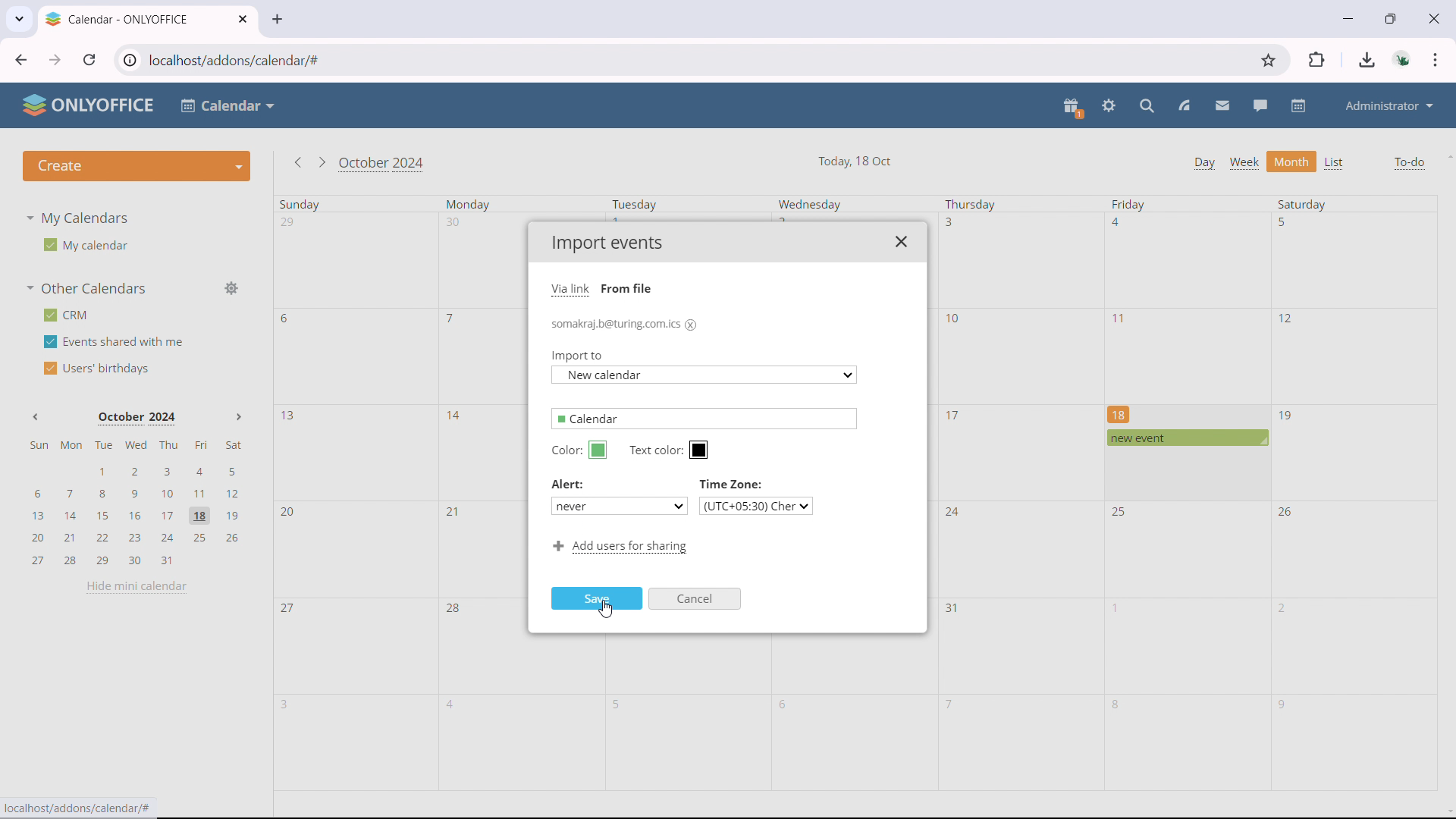 The image size is (1456, 819). What do you see at coordinates (384, 165) in the screenshot?
I see `October 2024` at bounding box center [384, 165].